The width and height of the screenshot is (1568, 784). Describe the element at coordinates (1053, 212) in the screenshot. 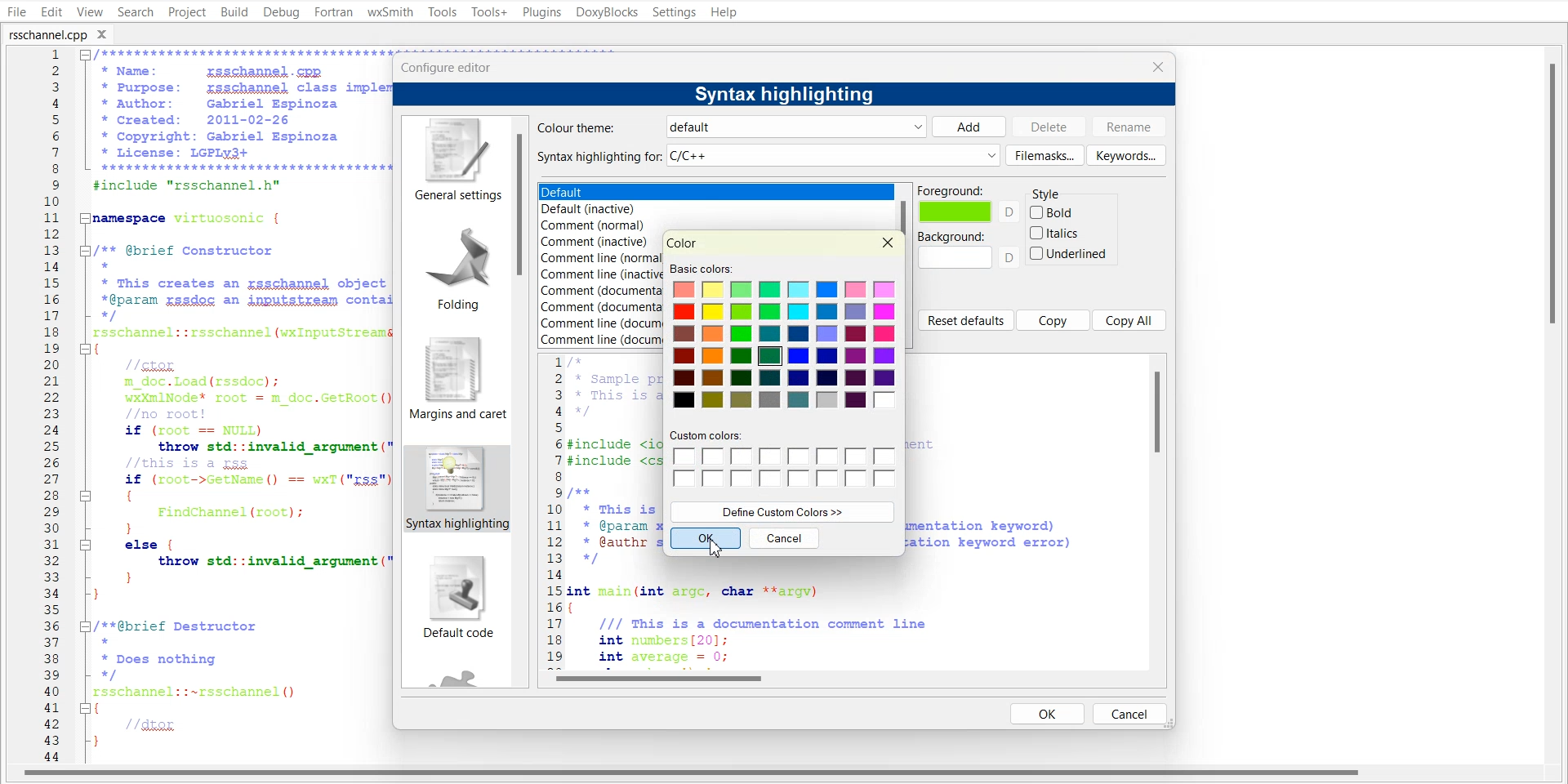

I see `Bold` at that location.